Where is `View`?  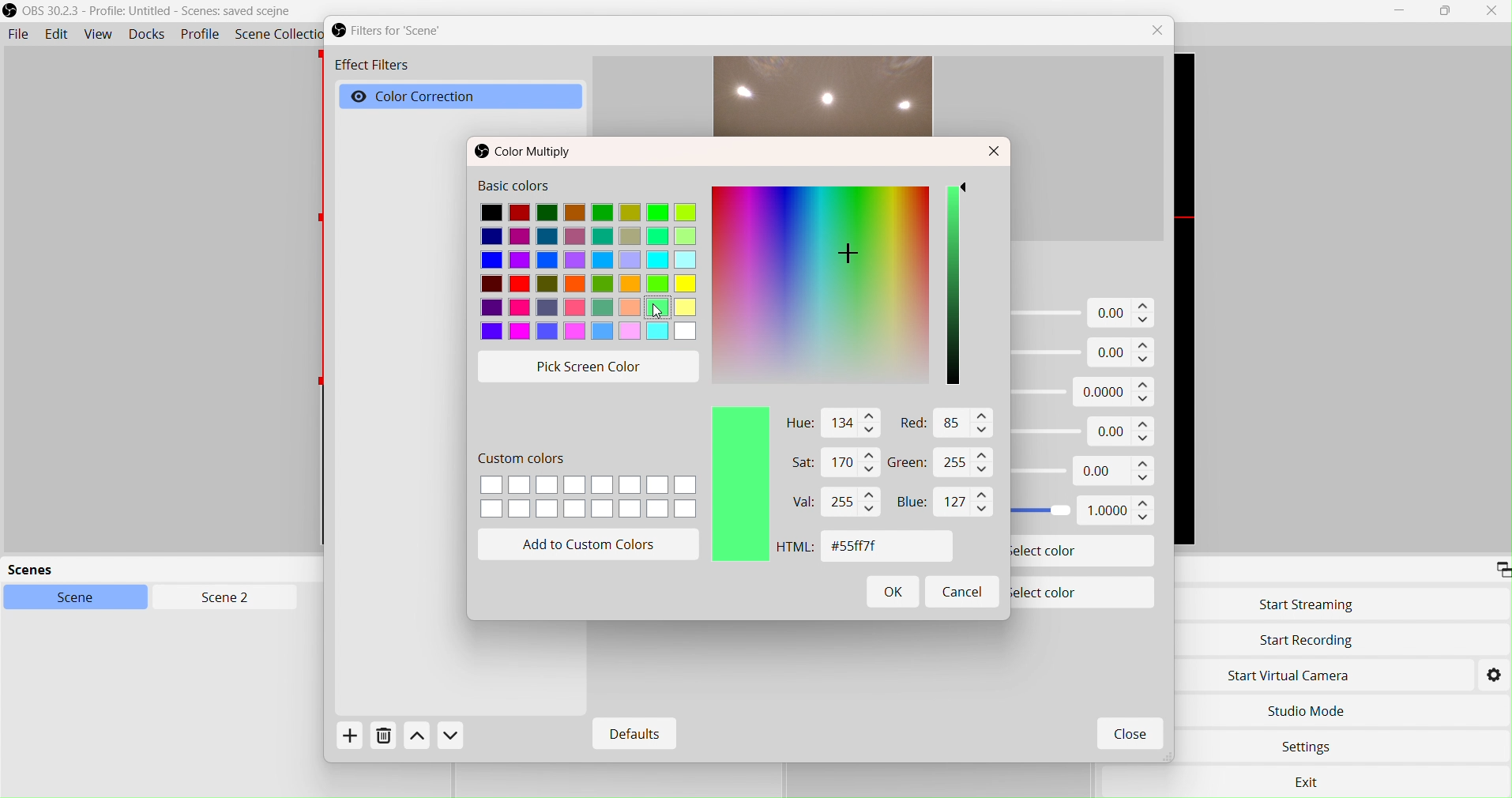 View is located at coordinates (99, 35).